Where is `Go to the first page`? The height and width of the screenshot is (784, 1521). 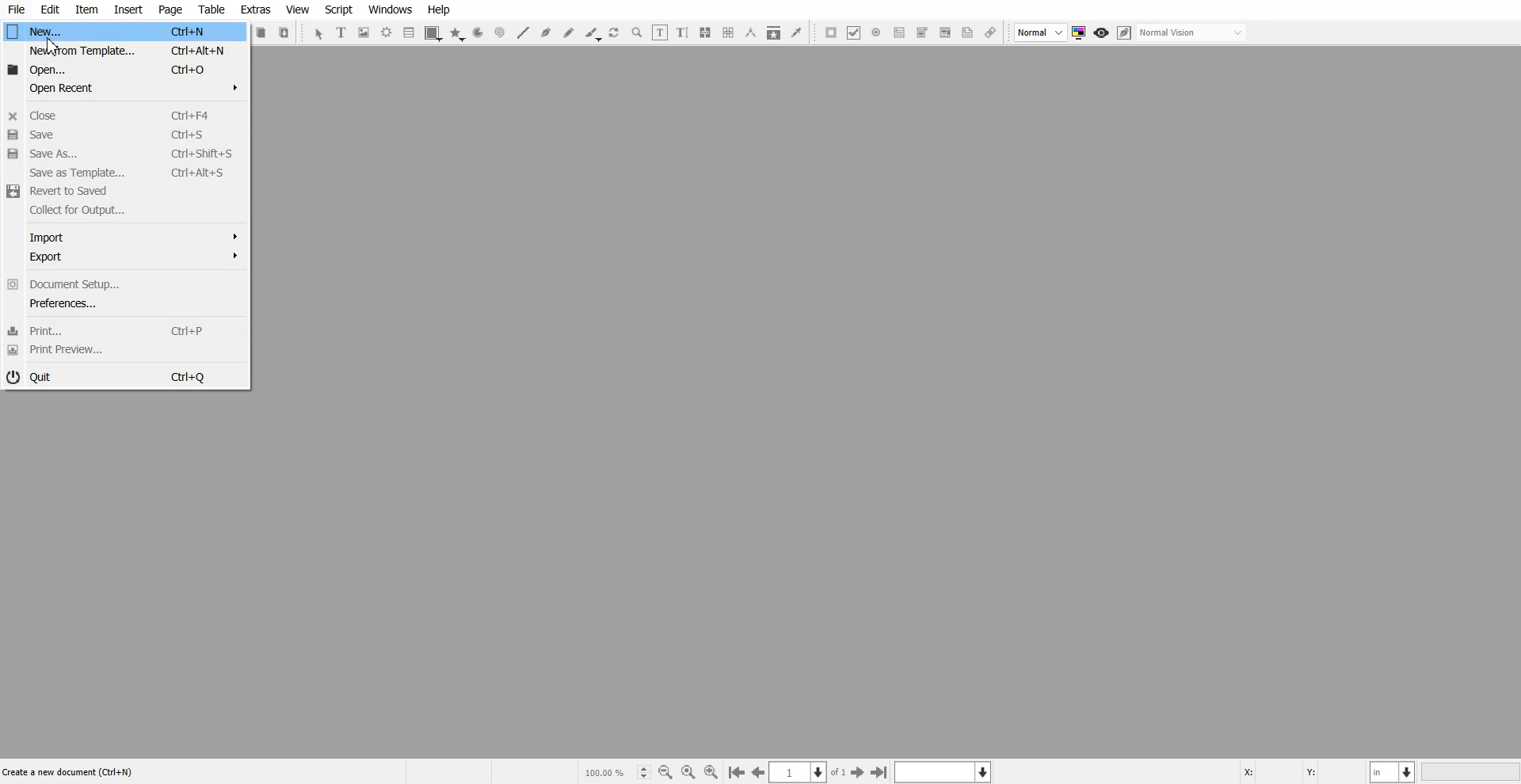 Go to the first page is located at coordinates (881, 772).